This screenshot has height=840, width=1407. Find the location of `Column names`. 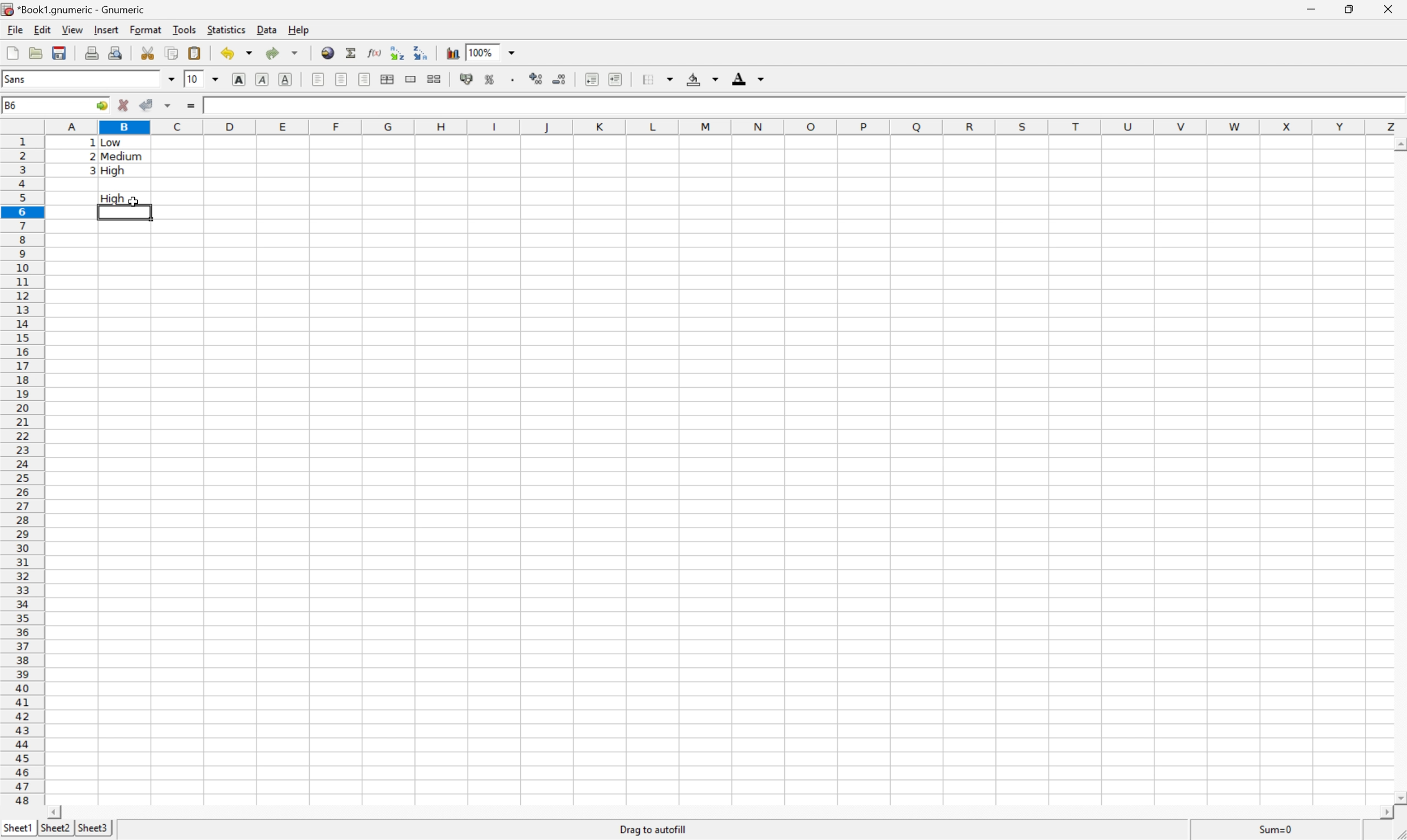

Column names is located at coordinates (723, 127).